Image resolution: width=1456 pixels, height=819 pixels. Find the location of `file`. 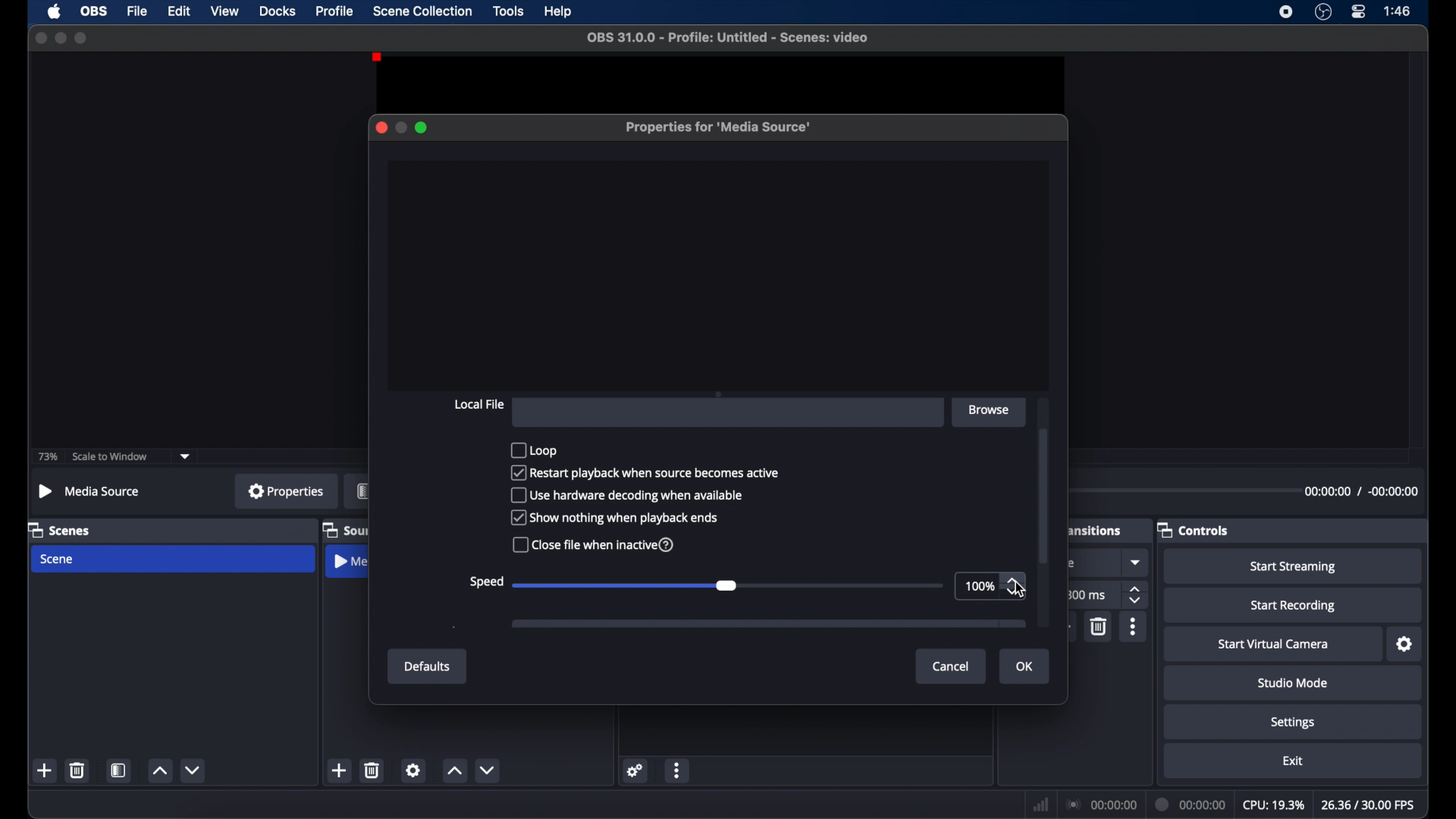

file is located at coordinates (138, 12).